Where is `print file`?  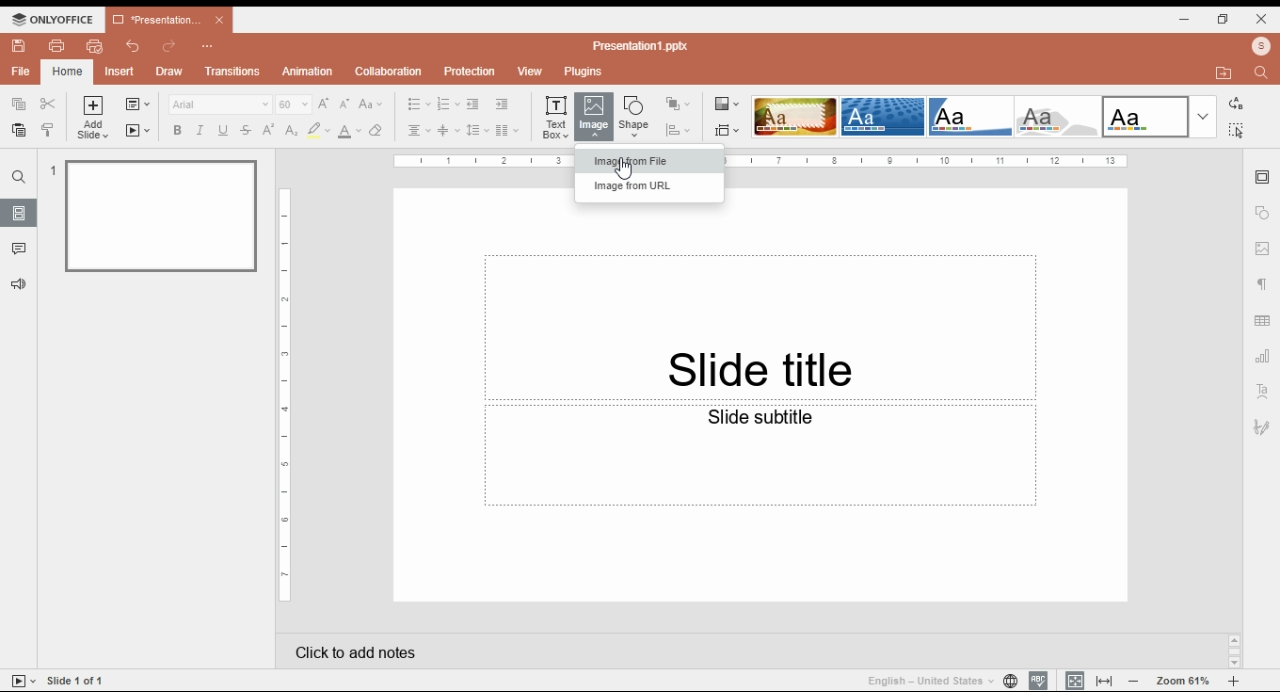 print file is located at coordinates (56, 46).